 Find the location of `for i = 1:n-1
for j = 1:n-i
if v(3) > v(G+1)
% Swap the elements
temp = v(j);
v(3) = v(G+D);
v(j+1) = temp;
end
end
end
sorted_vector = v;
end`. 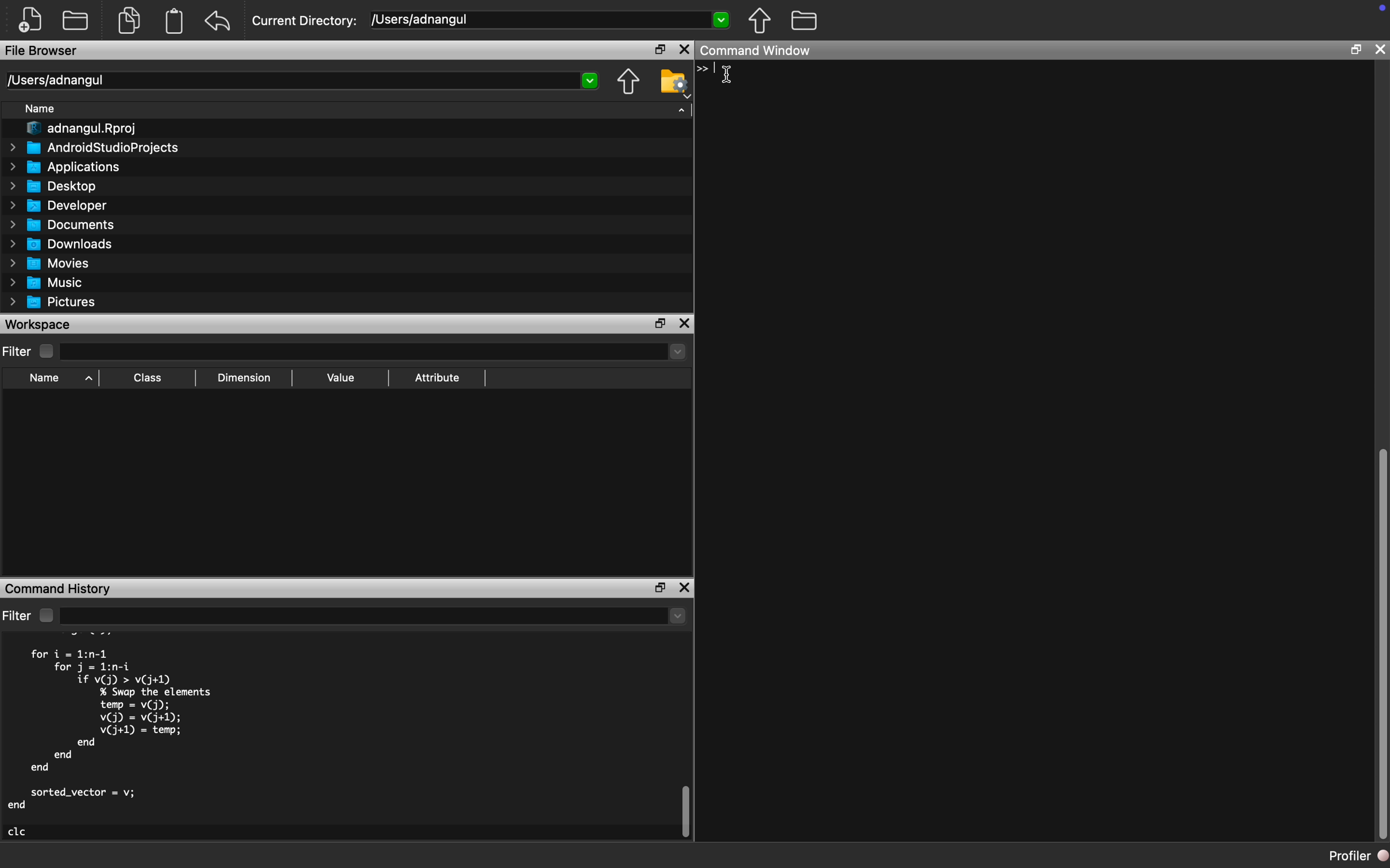

for i = 1:n-1
for j = 1:n-i
if v(3) > v(G+1)
% Swap the elements
temp = v(j);
v(3) = v(G+D);
v(j+1) = temp;
end
end
end
sorted_vector = v;
end is located at coordinates (111, 729).